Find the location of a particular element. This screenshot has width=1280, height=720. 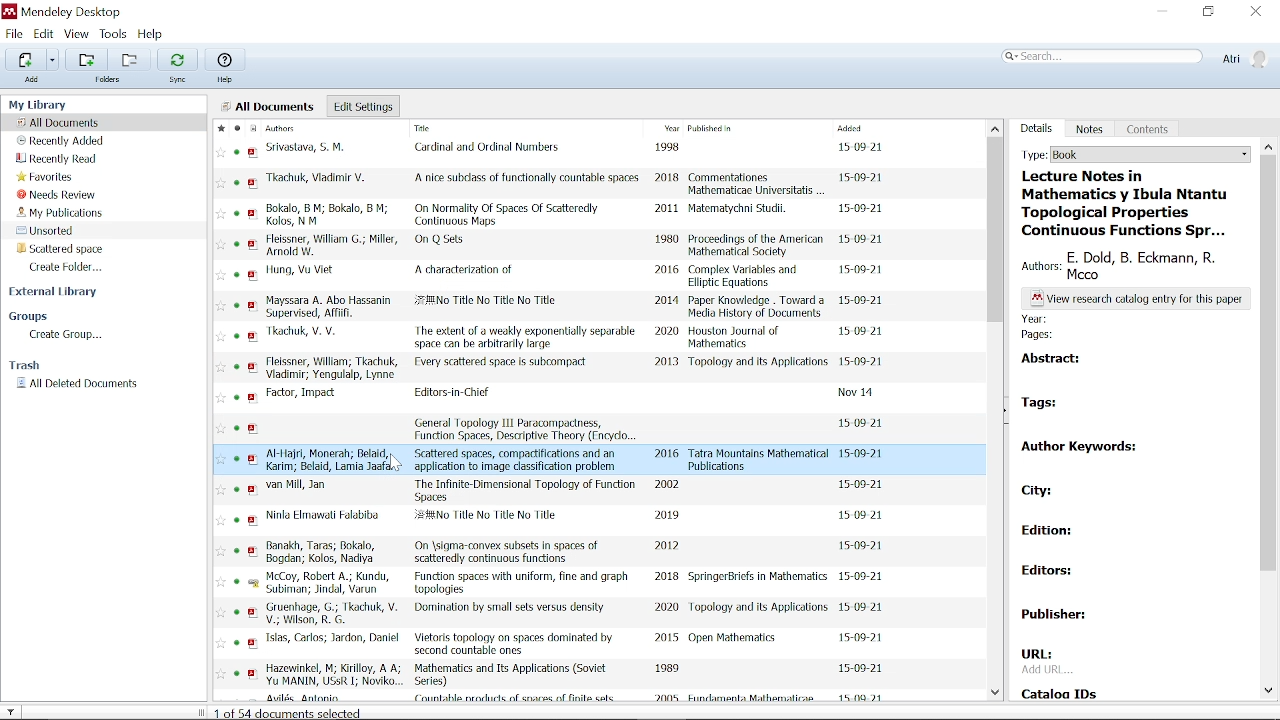

date is located at coordinates (864, 546).